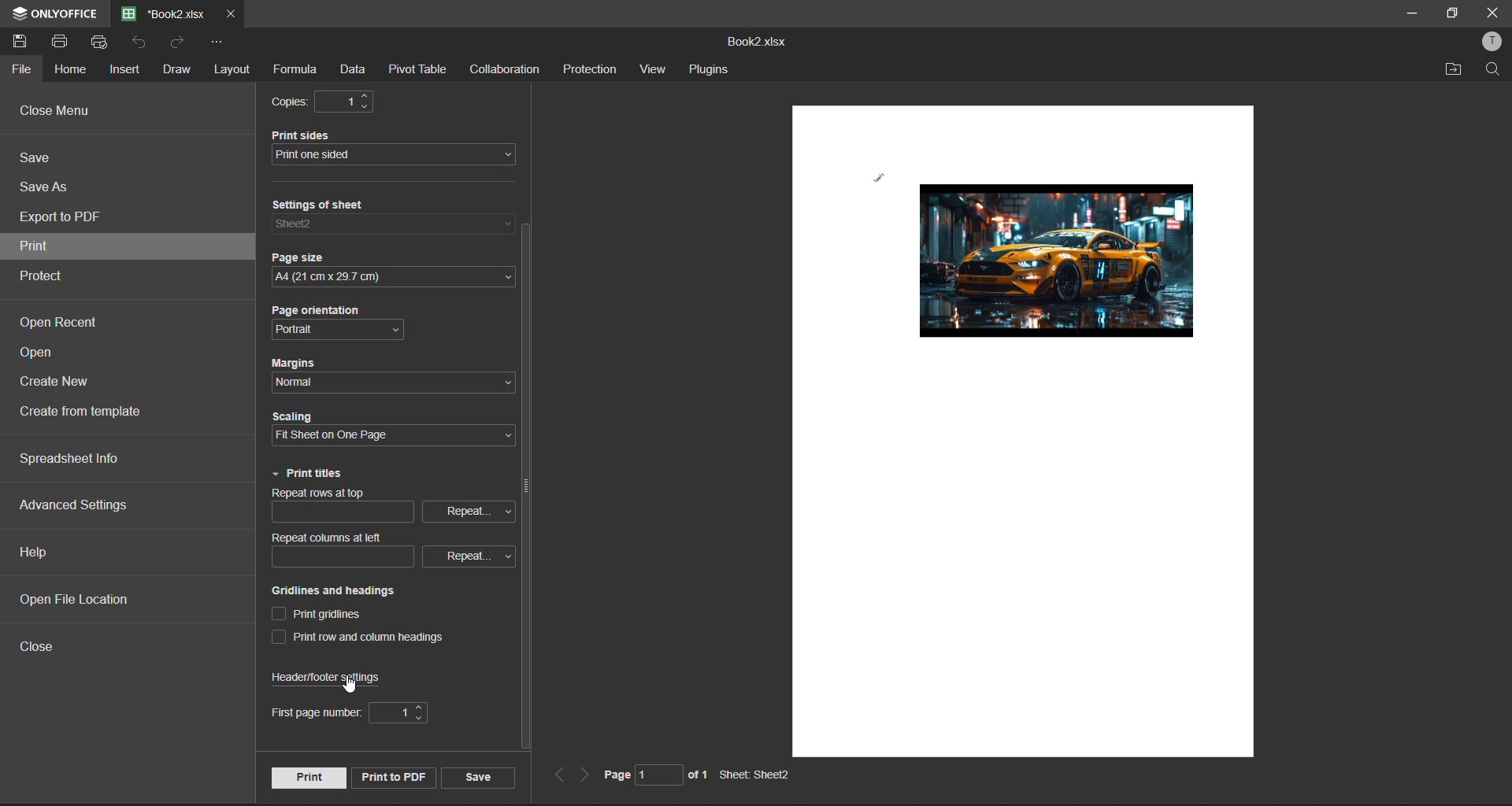 The image size is (1512, 806). What do you see at coordinates (145, 45) in the screenshot?
I see `undo` at bounding box center [145, 45].